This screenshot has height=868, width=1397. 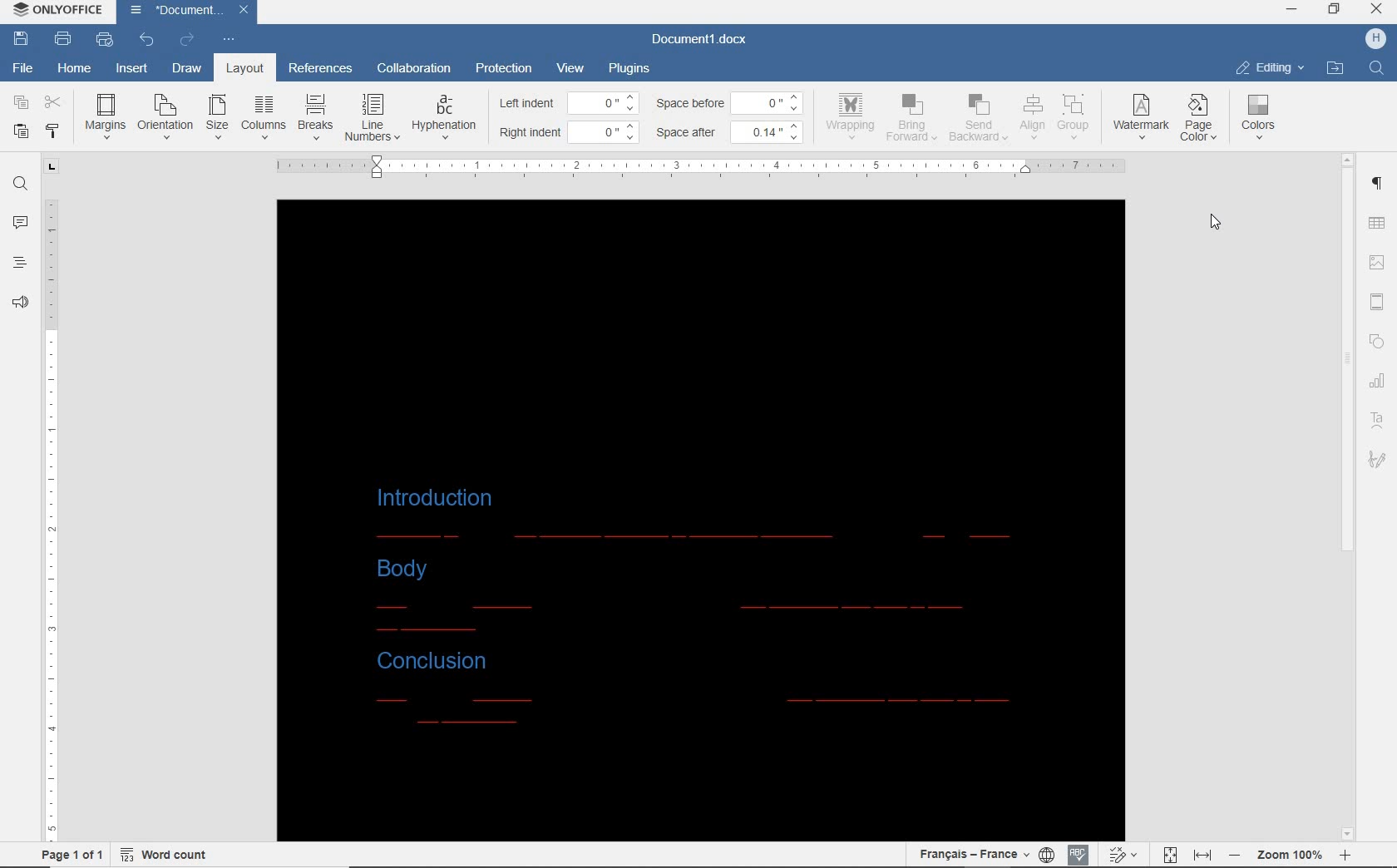 I want to click on page color, so click(x=1201, y=119).